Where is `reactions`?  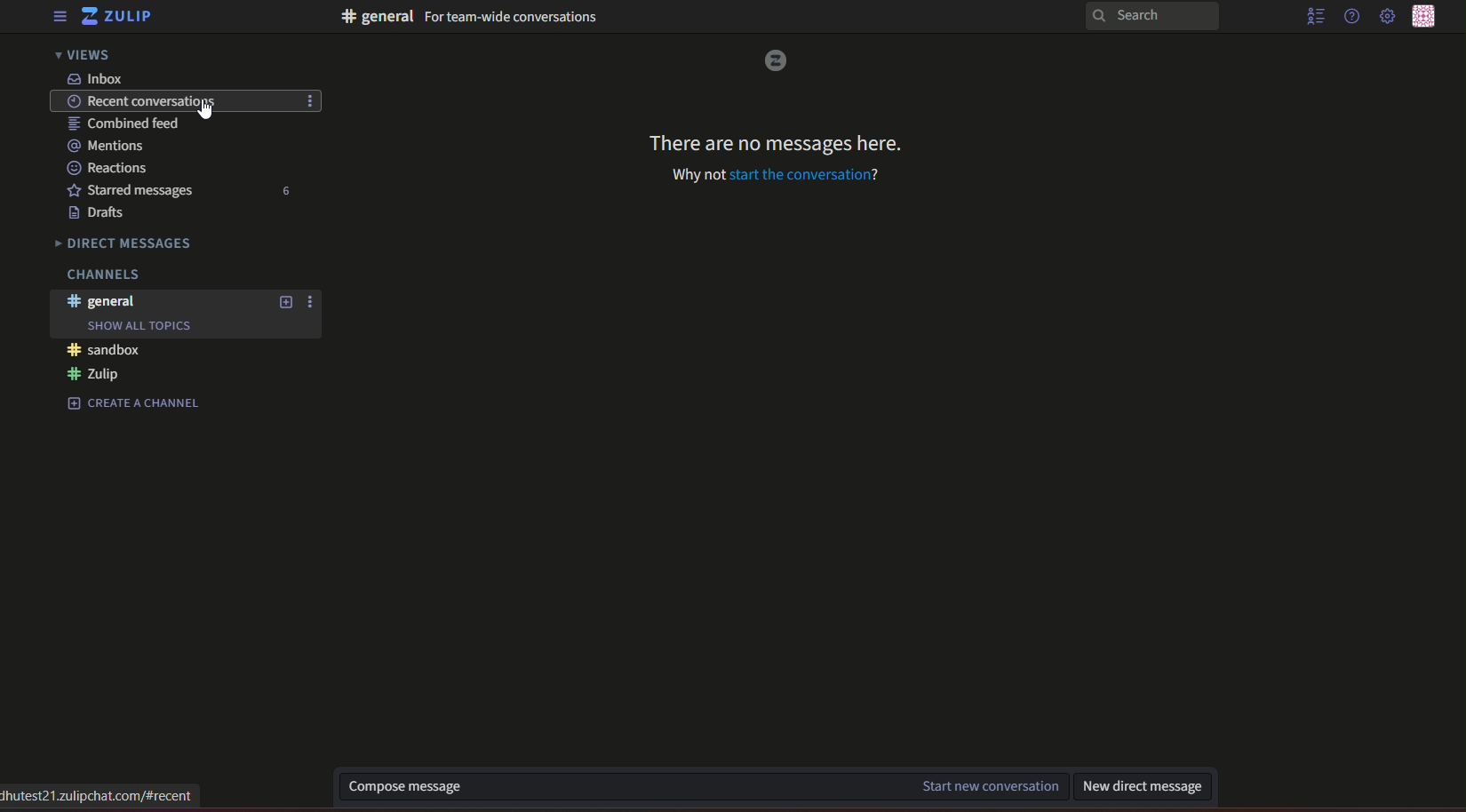
reactions is located at coordinates (108, 167).